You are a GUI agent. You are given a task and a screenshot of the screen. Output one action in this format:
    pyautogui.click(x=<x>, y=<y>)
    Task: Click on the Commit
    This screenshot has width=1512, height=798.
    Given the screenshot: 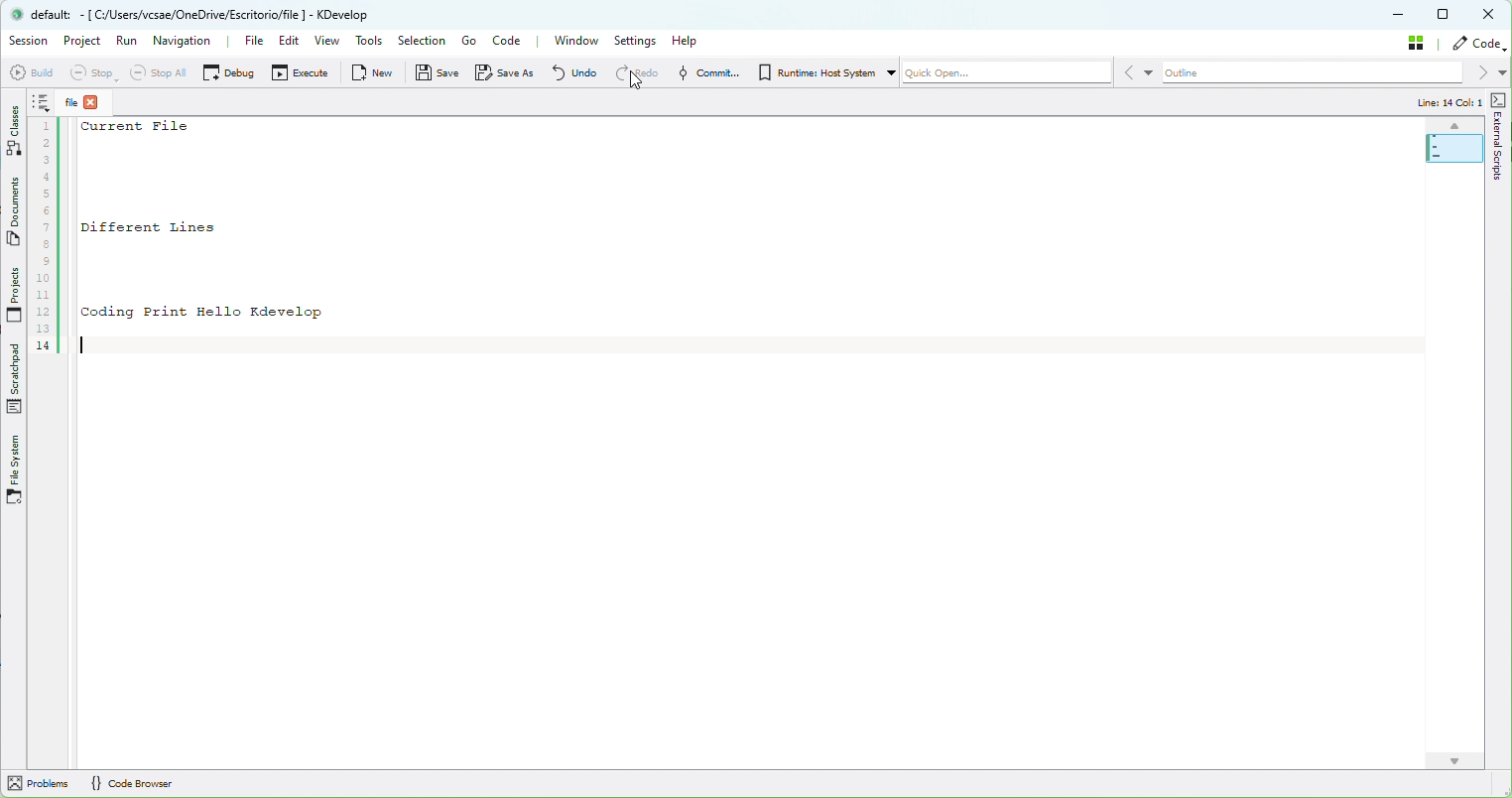 What is the action you would take?
    pyautogui.click(x=708, y=73)
    